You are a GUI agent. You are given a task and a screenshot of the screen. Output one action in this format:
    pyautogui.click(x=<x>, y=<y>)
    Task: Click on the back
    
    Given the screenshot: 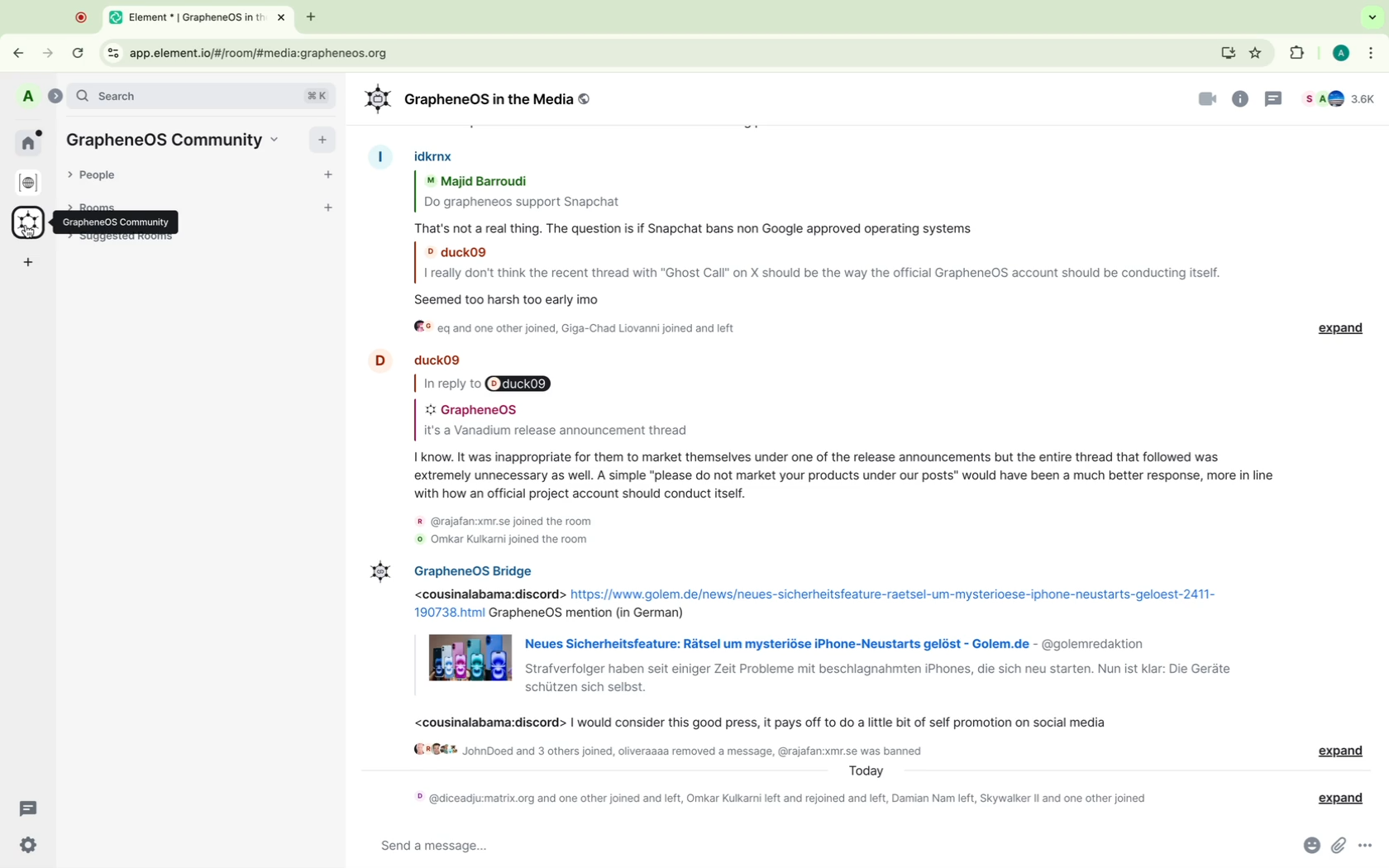 What is the action you would take?
    pyautogui.click(x=21, y=50)
    